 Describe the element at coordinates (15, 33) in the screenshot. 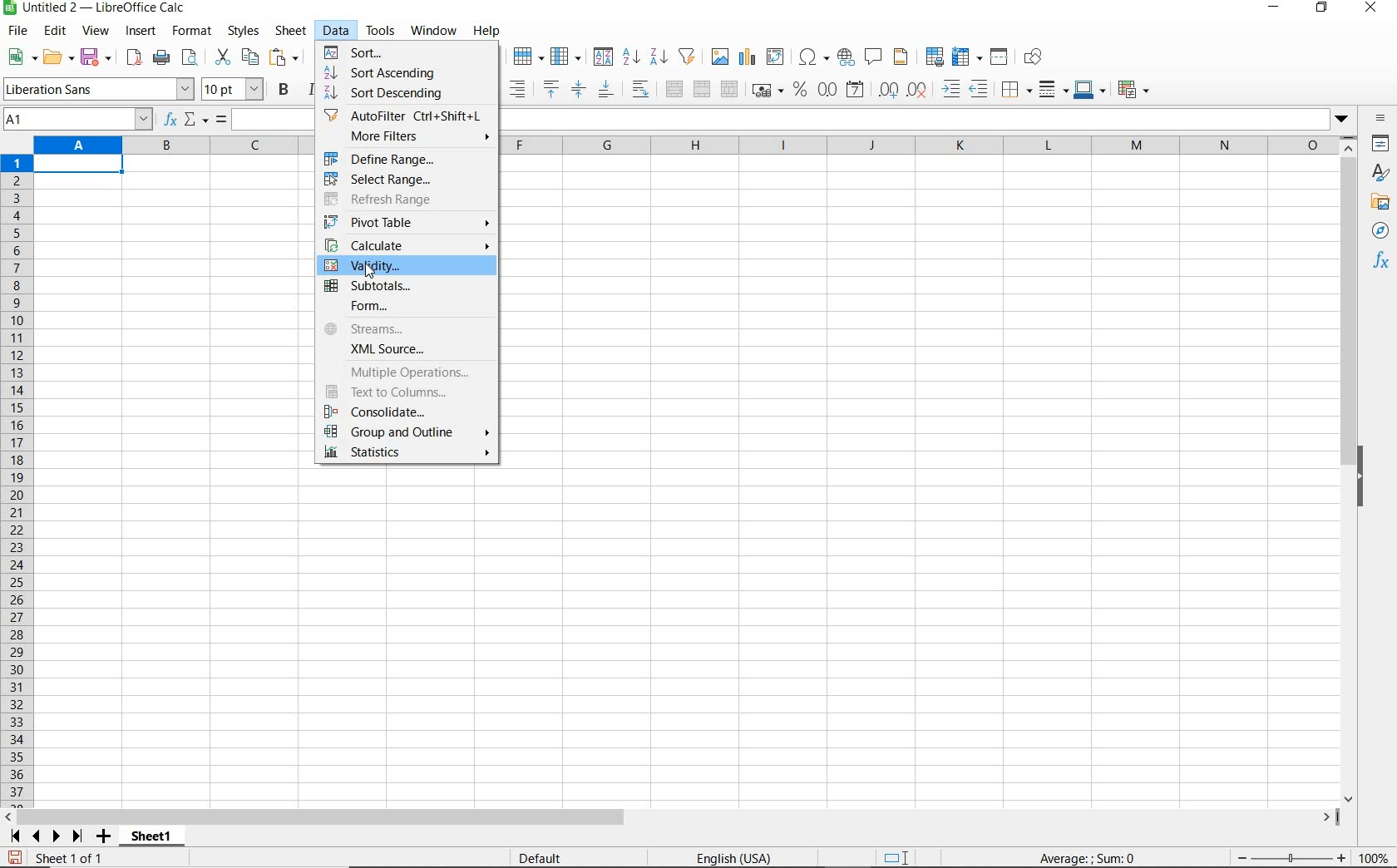

I see `file` at that location.